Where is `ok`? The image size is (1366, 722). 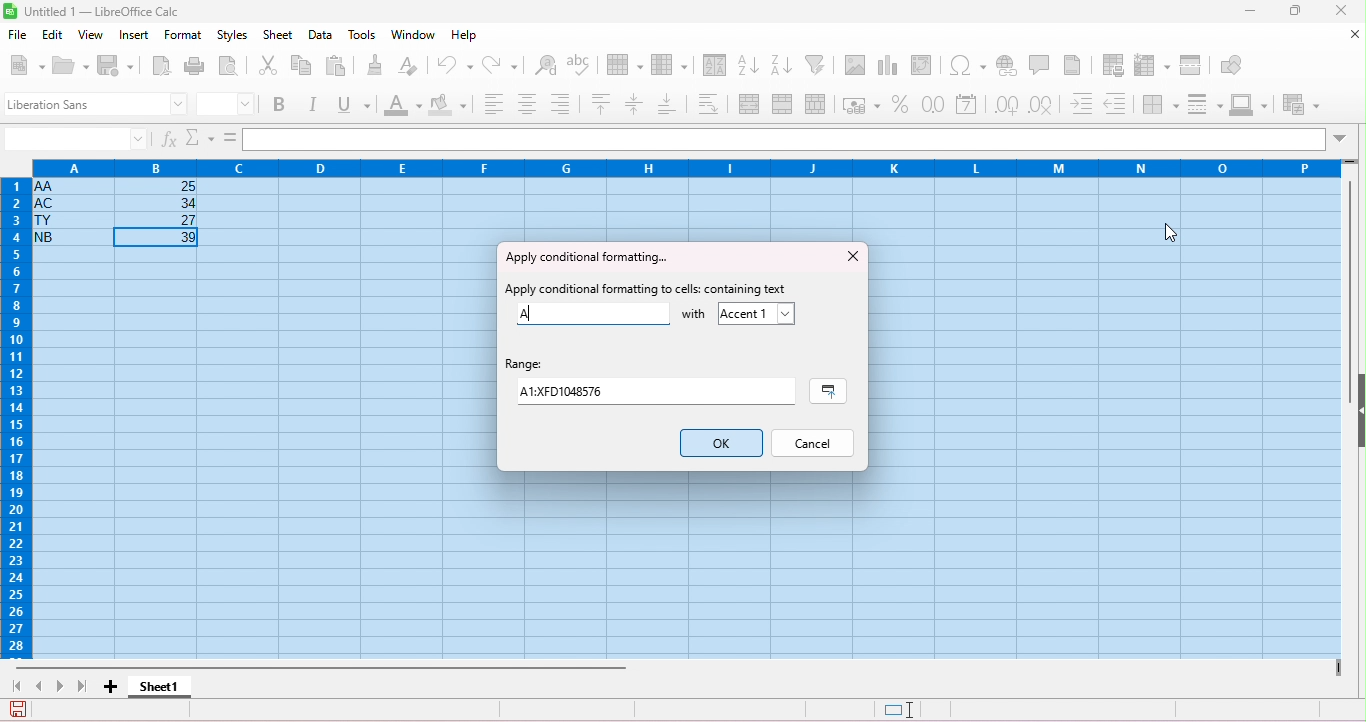
ok is located at coordinates (720, 442).